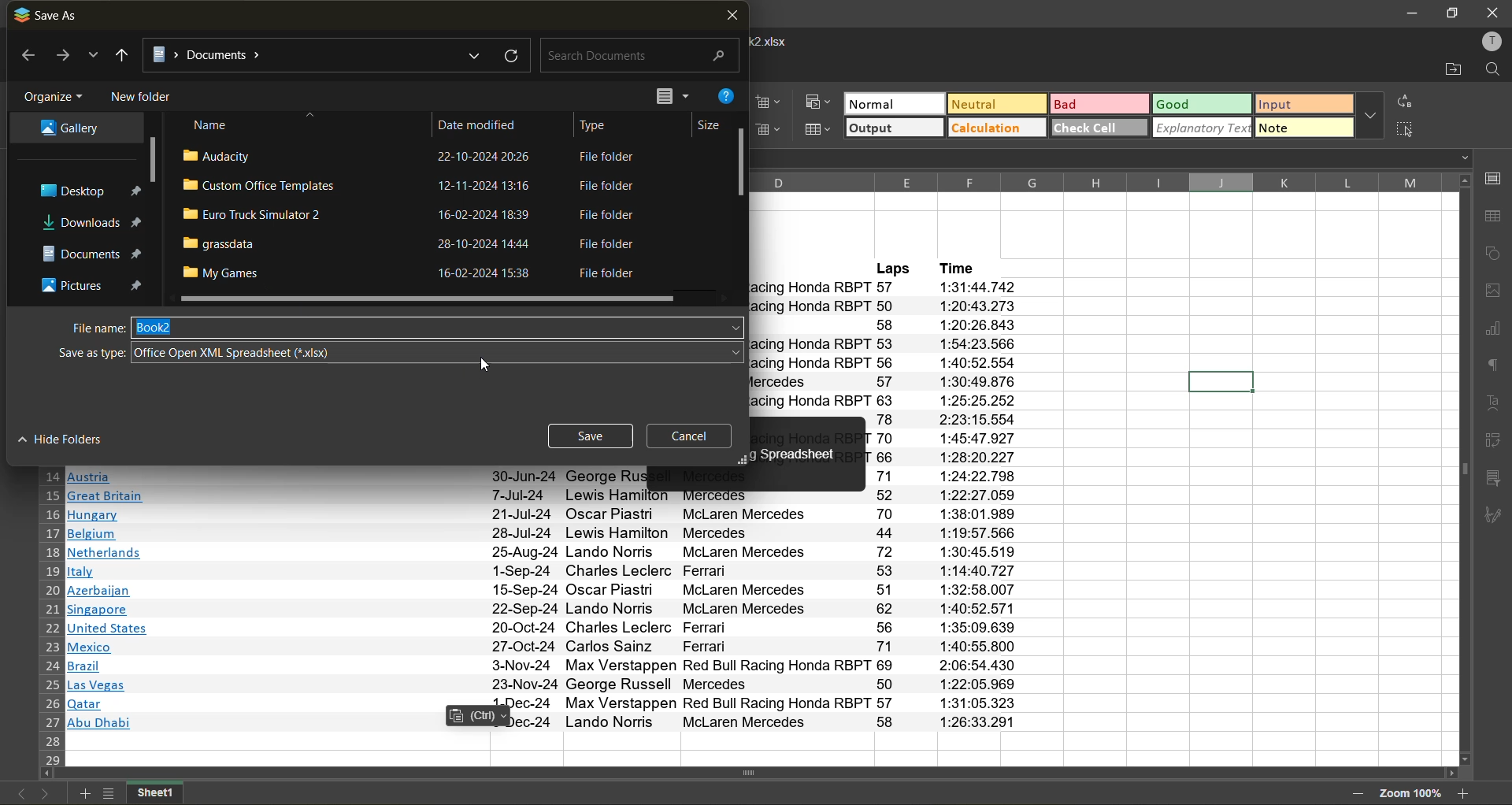  I want to click on text info, so click(549, 647).